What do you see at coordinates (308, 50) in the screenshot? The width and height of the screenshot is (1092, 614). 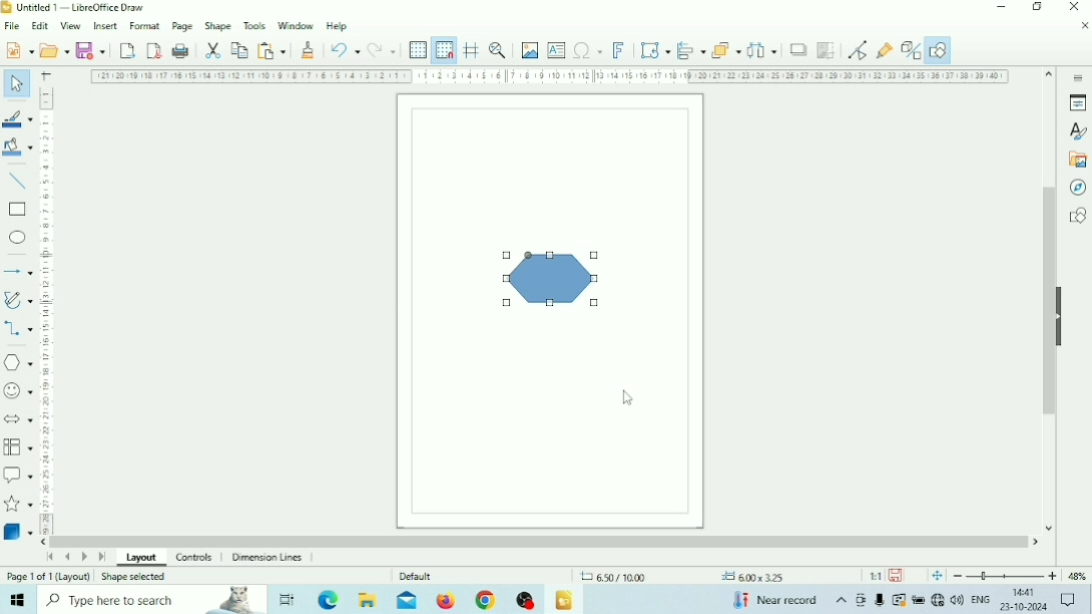 I see `Clone Formatting` at bounding box center [308, 50].